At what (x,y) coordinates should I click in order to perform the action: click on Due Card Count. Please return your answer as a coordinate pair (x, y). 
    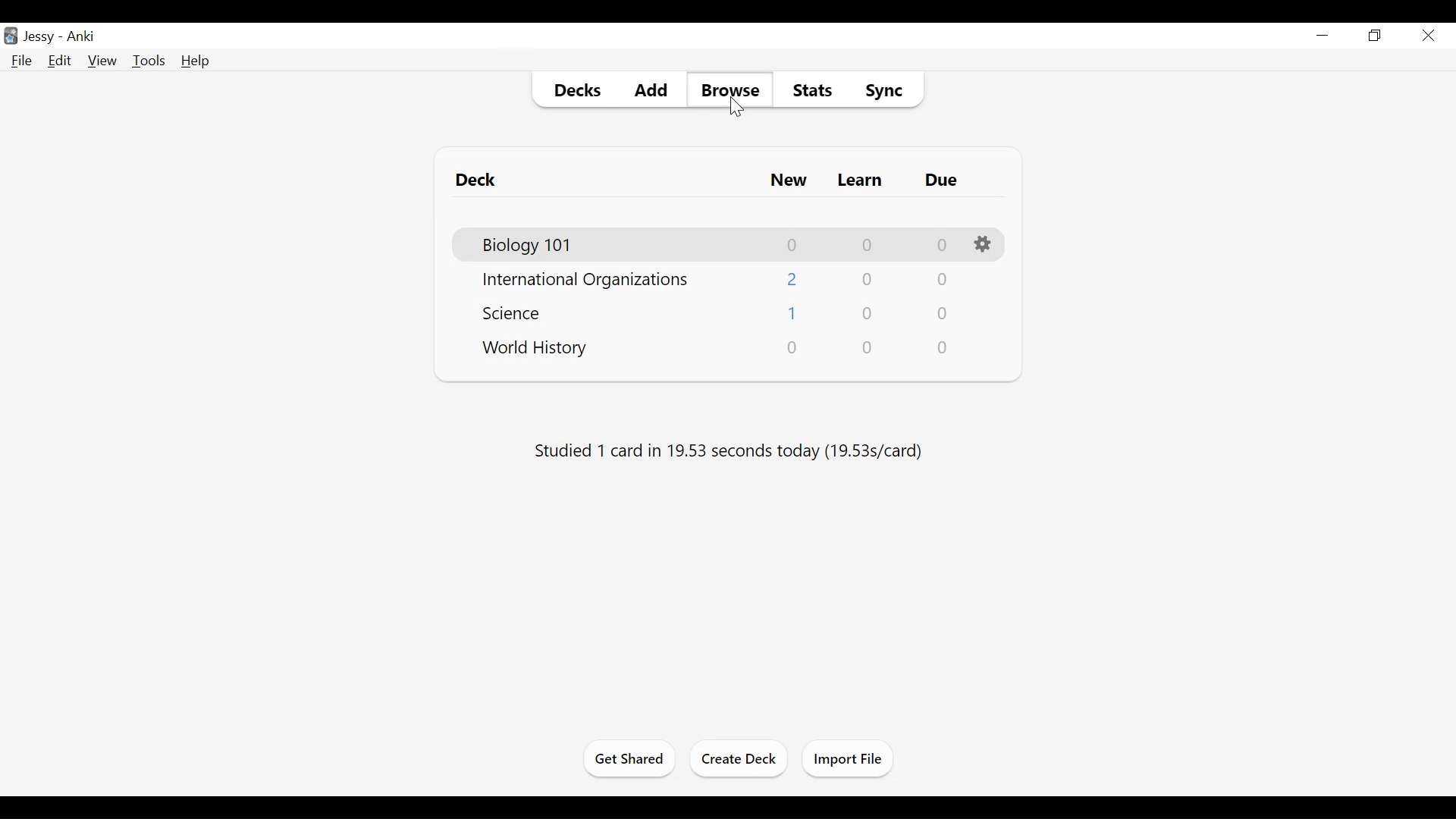
    Looking at the image, I should click on (940, 279).